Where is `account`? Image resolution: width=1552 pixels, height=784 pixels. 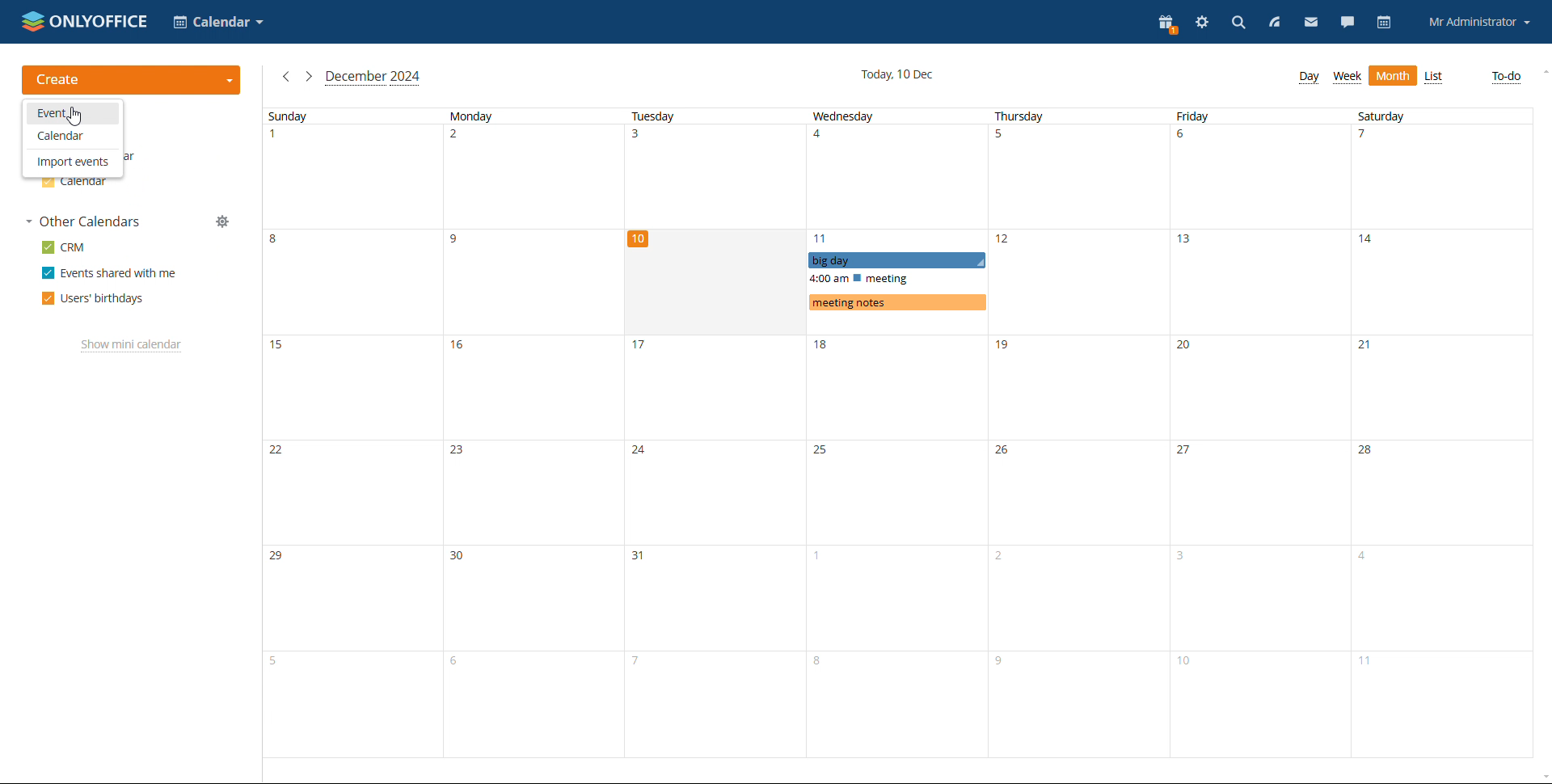 account is located at coordinates (1479, 21).